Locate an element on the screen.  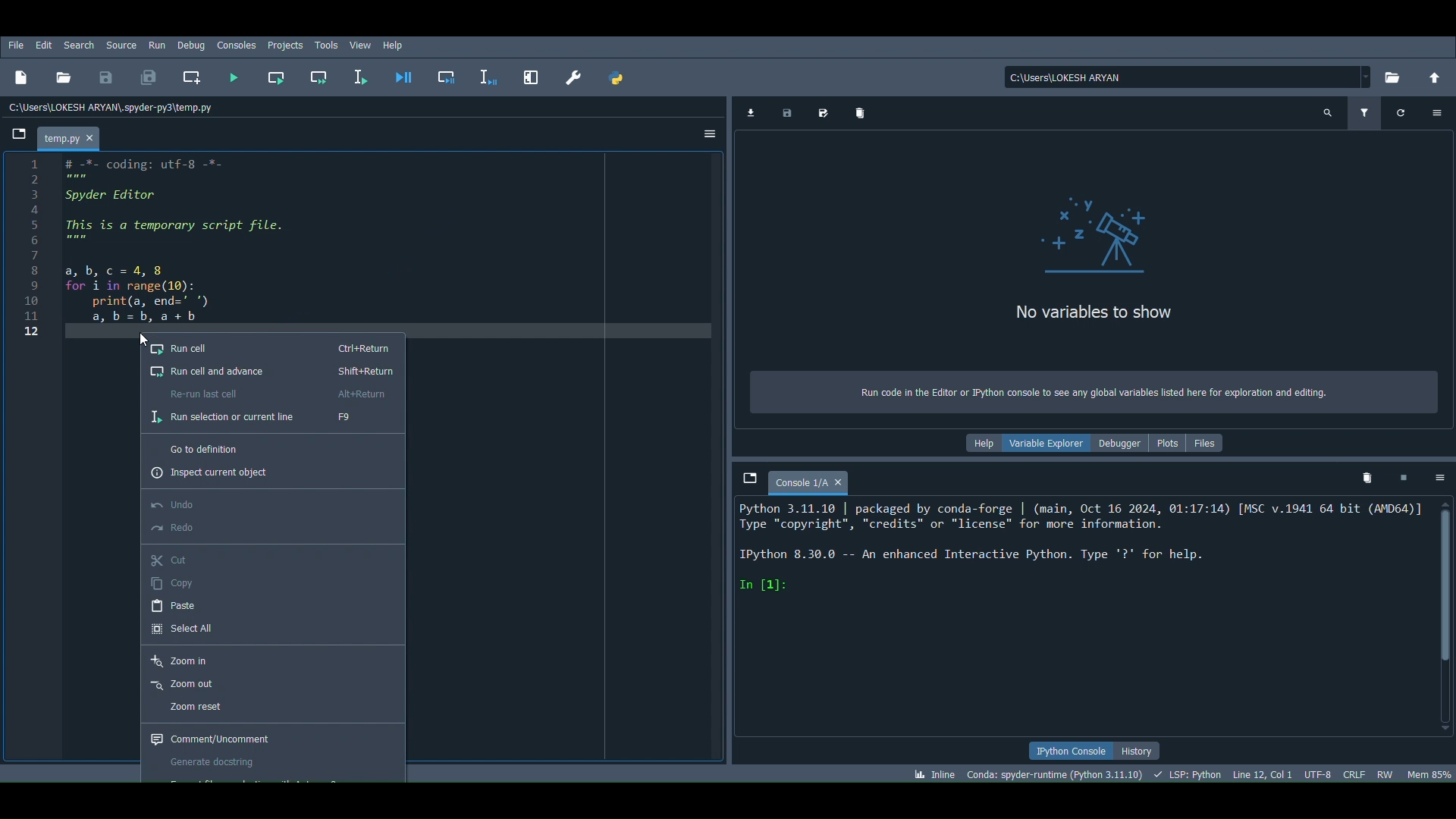
Edit is located at coordinates (42, 47).